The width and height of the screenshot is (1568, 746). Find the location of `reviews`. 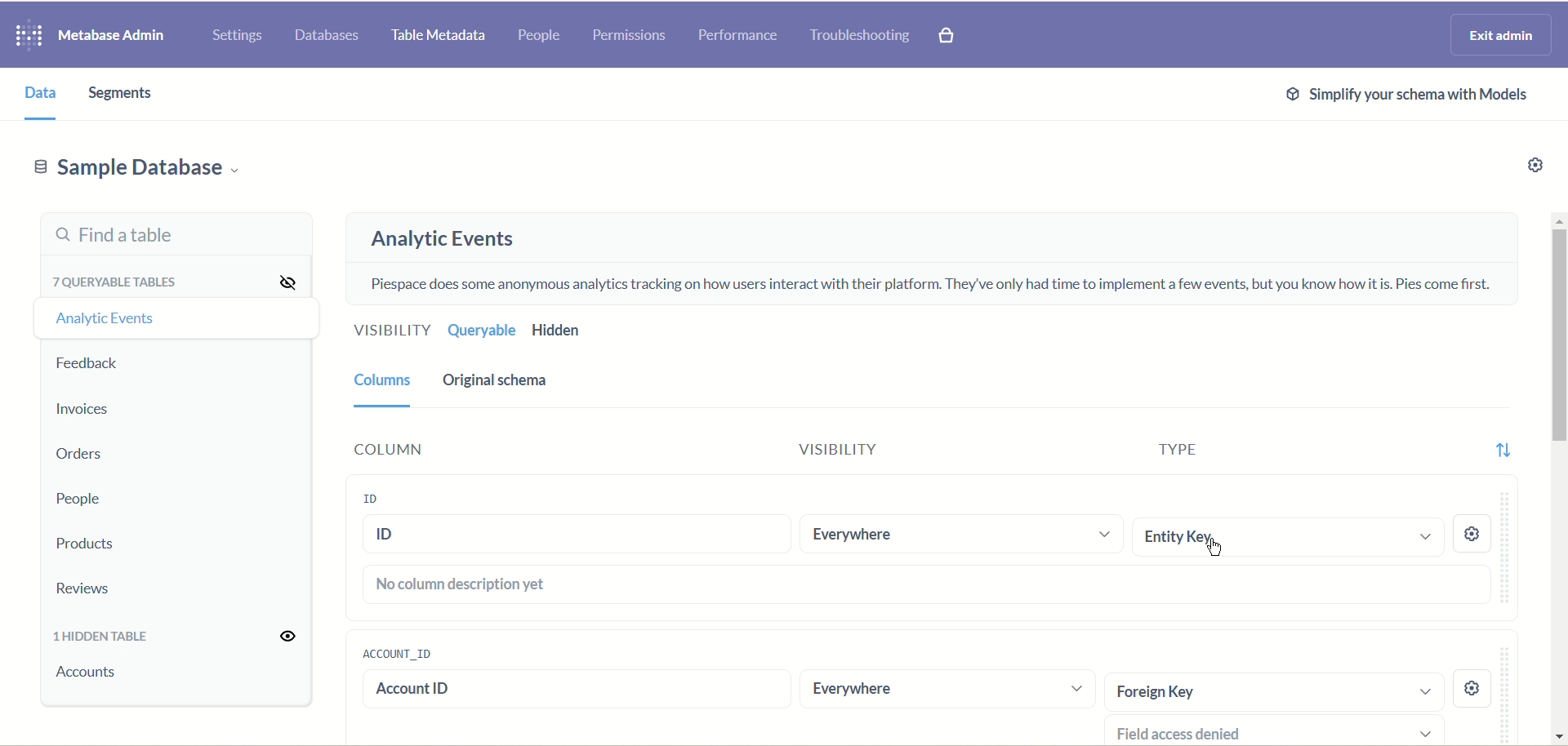

reviews is located at coordinates (87, 589).